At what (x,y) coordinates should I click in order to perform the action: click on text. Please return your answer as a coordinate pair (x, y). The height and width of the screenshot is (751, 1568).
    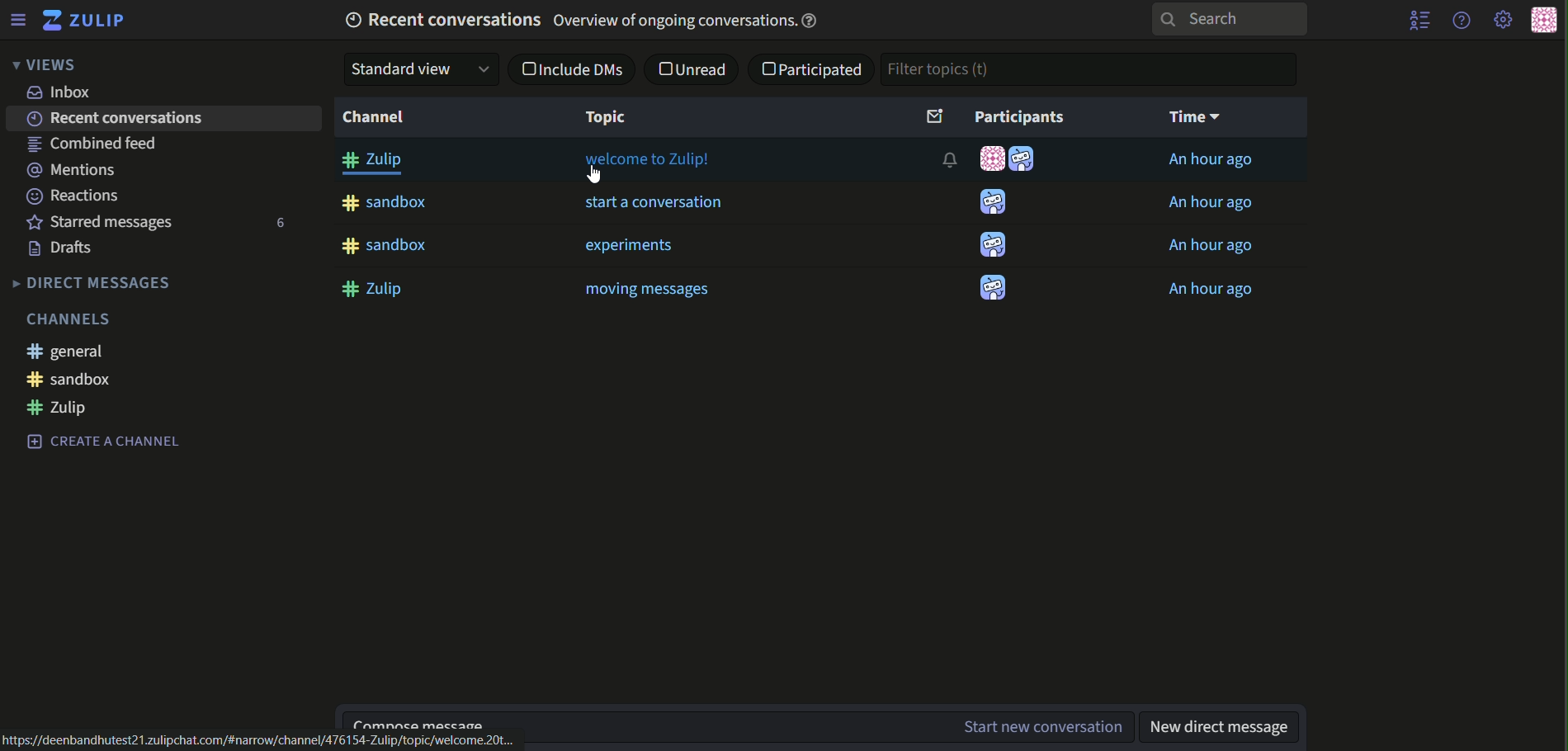
    Looking at the image, I should click on (647, 290).